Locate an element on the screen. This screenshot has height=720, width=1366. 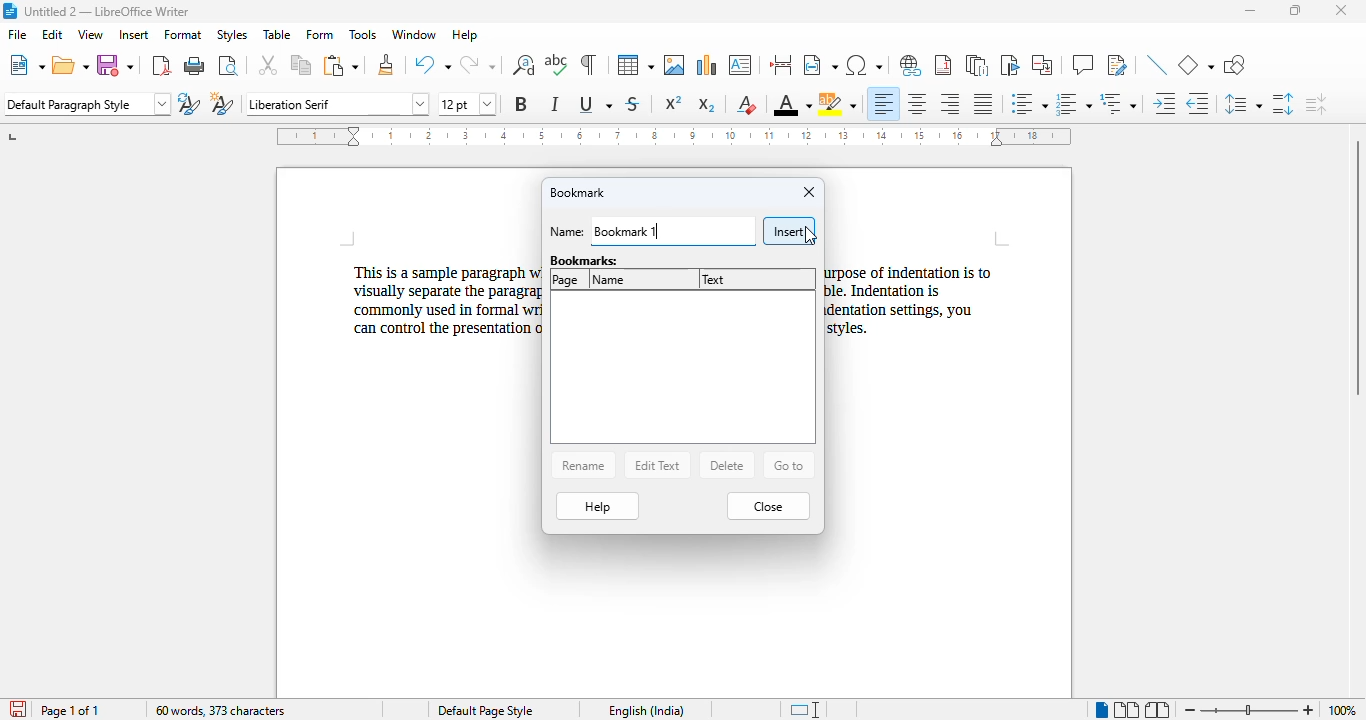
single-page view is located at coordinates (1102, 710).